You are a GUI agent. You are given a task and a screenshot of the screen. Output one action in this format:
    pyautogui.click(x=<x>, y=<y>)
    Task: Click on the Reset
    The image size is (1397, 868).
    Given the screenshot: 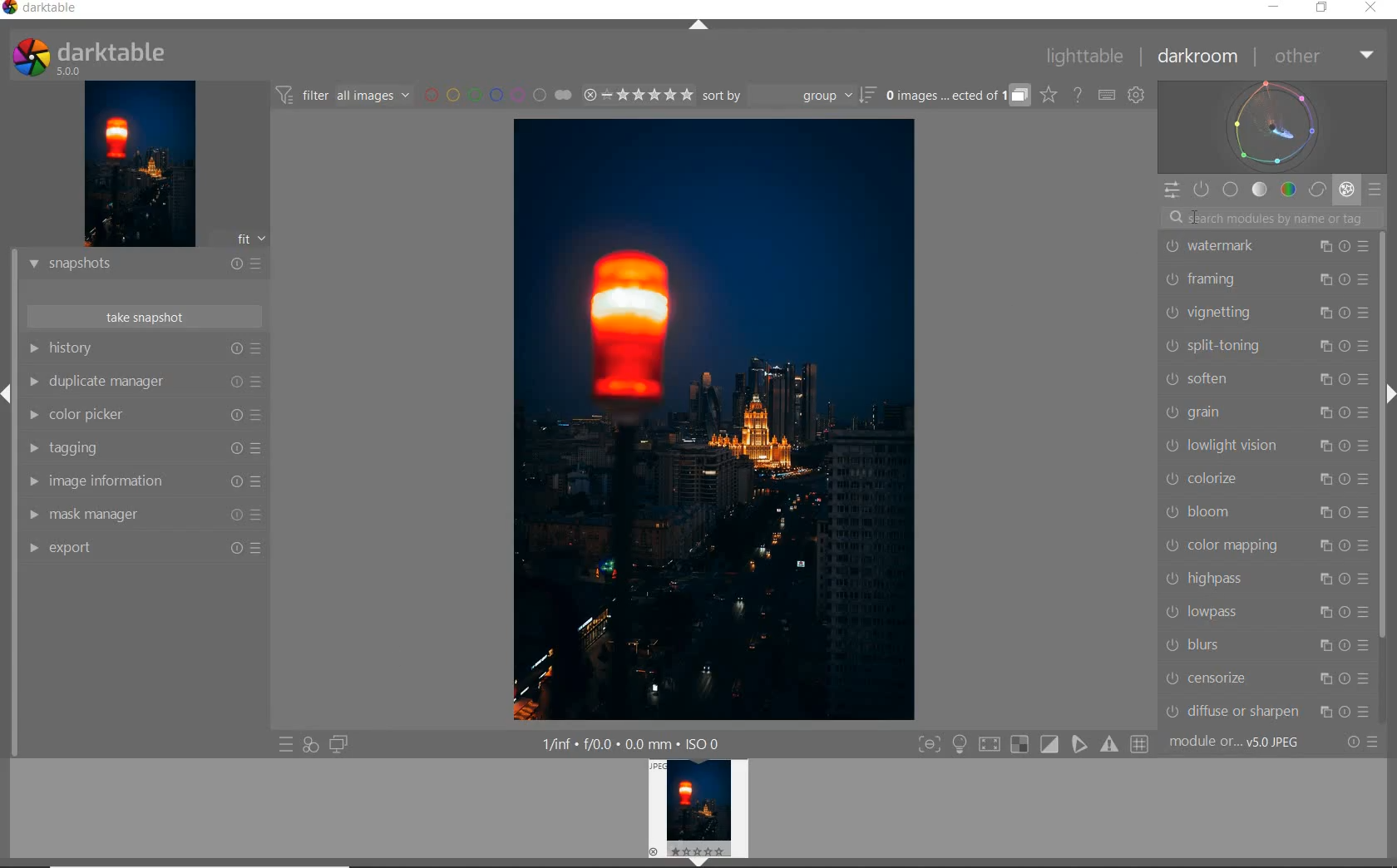 What is the action you would take?
    pyautogui.click(x=1345, y=478)
    